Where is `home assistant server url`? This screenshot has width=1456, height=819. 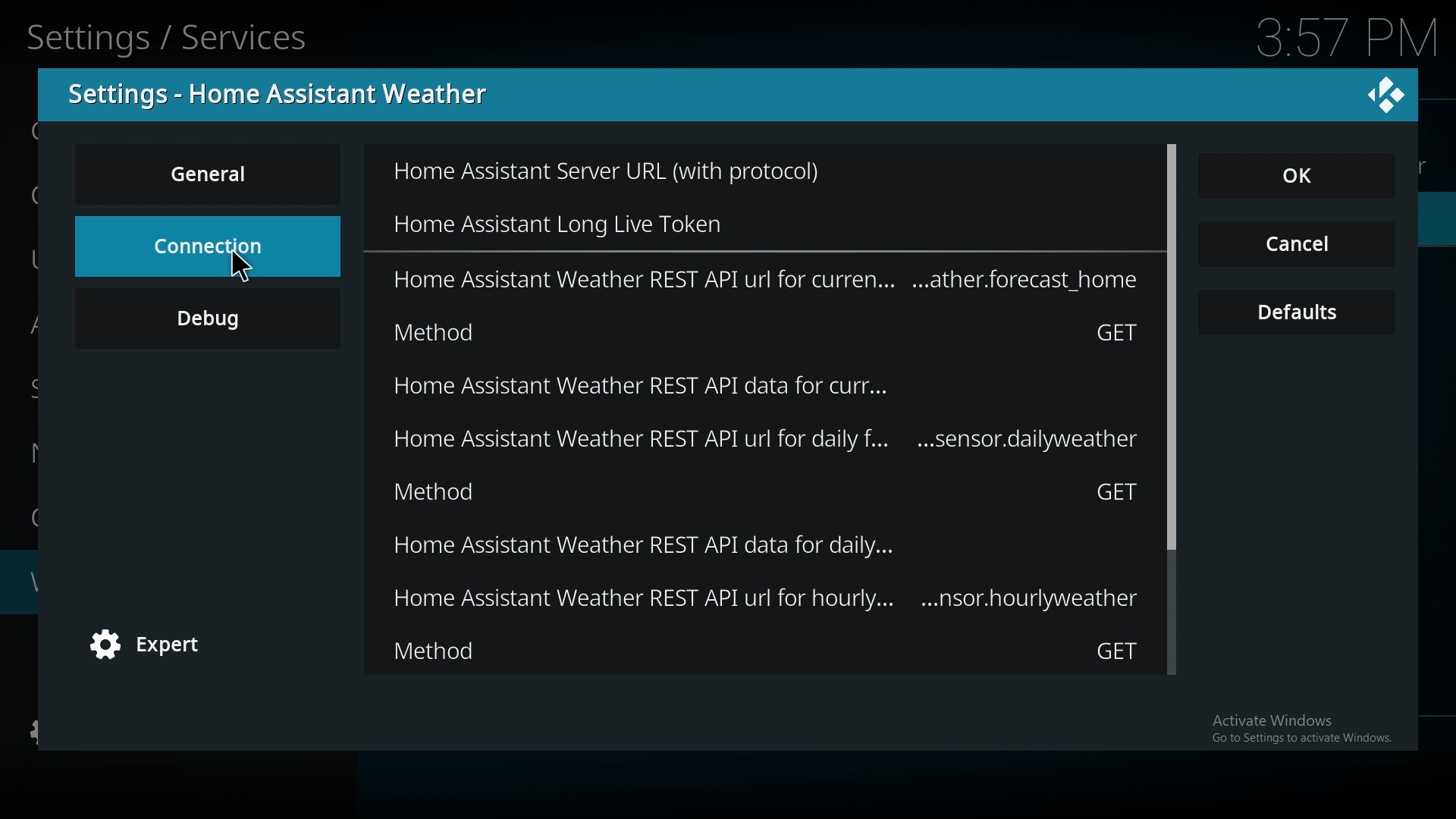 home assistant server url is located at coordinates (645, 172).